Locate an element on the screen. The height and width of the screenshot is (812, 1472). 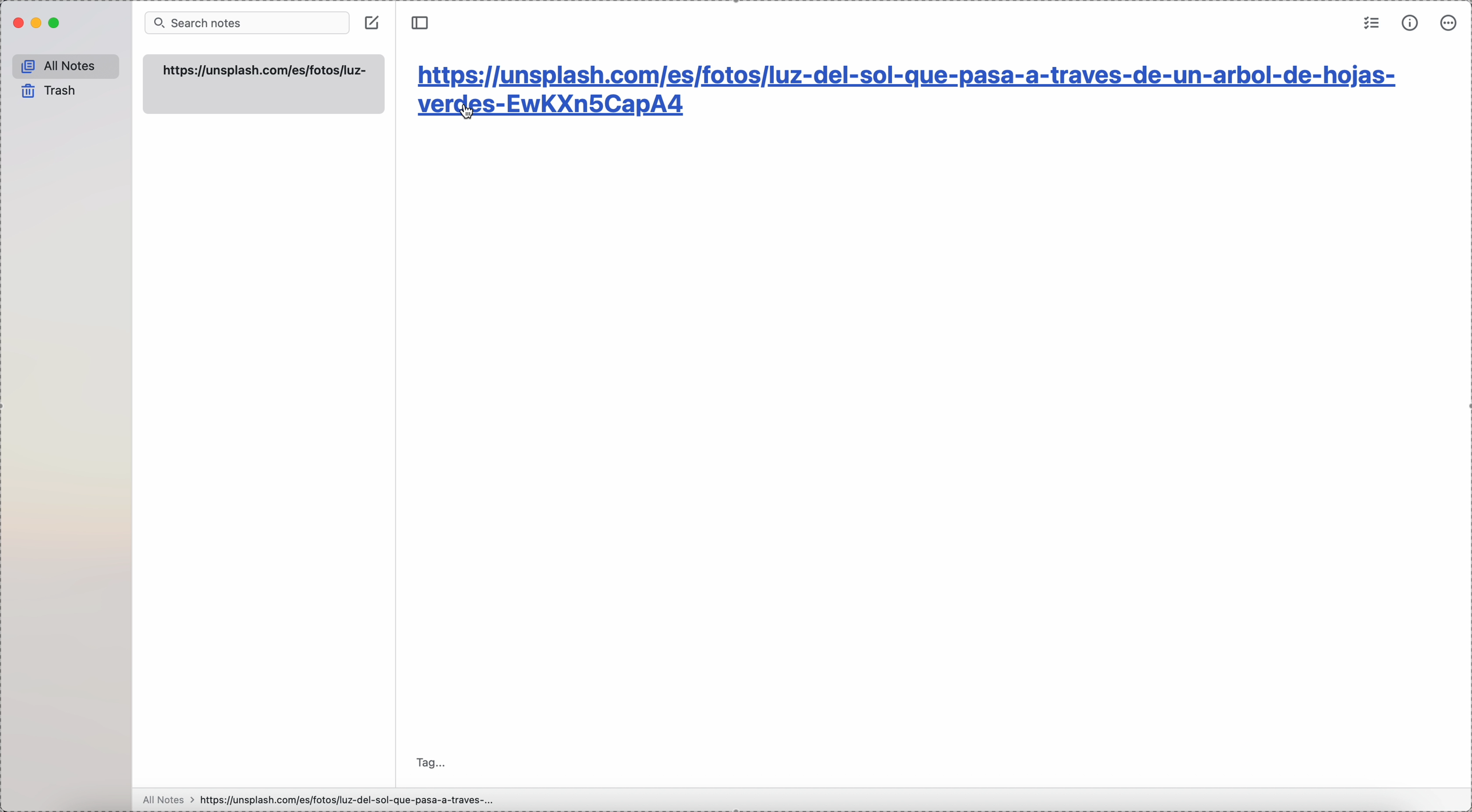
https://unsplash.com/es/fotos/luz-del-sol-que-pasa-a-traves-de-un-arbol-de-hojas-
verdes-EwWKXn5CapA4 is located at coordinates (913, 96).